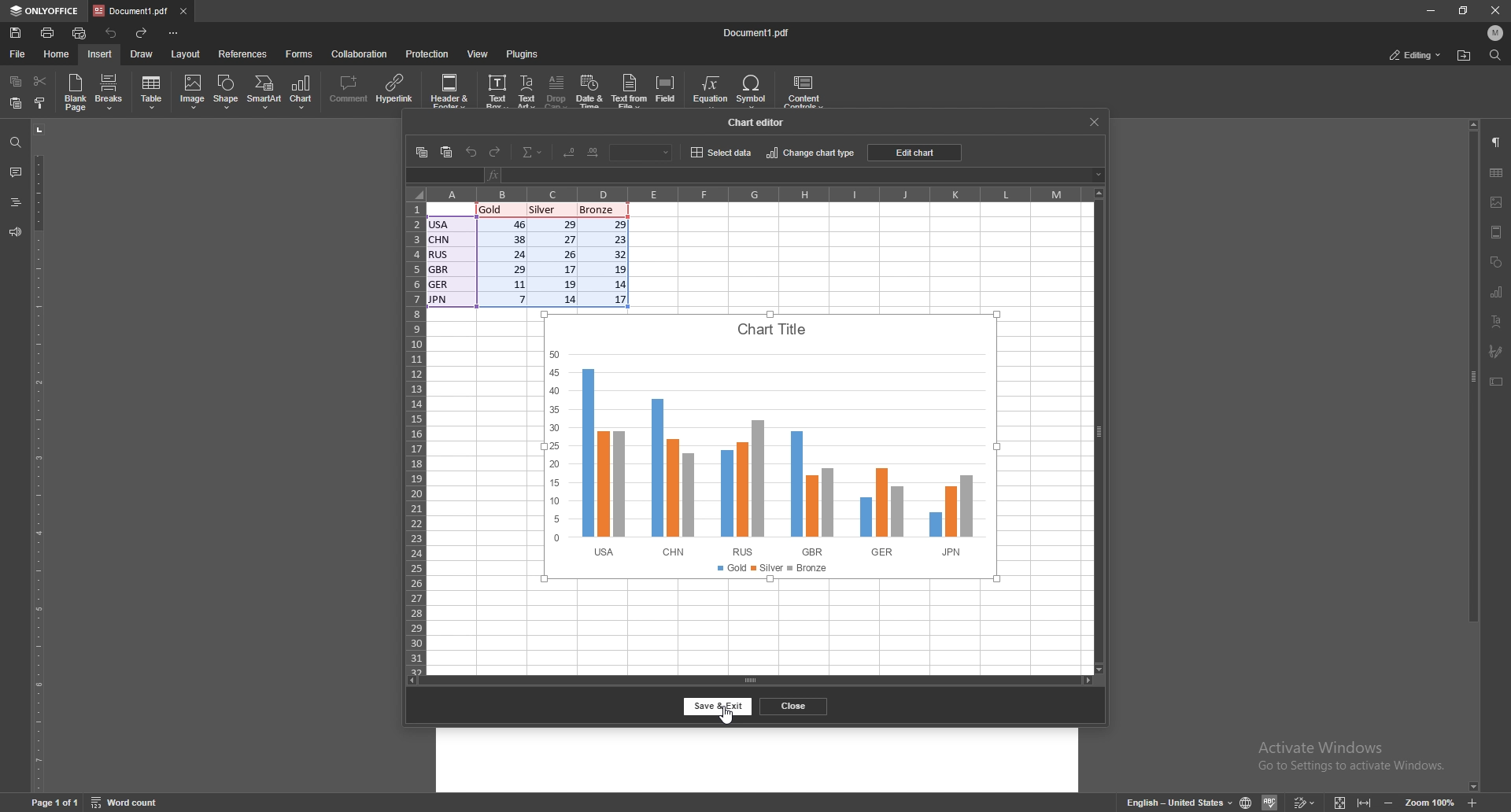 The height and width of the screenshot is (812, 1511). Describe the element at coordinates (49, 33) in the screenshot. I see `print` at that location.